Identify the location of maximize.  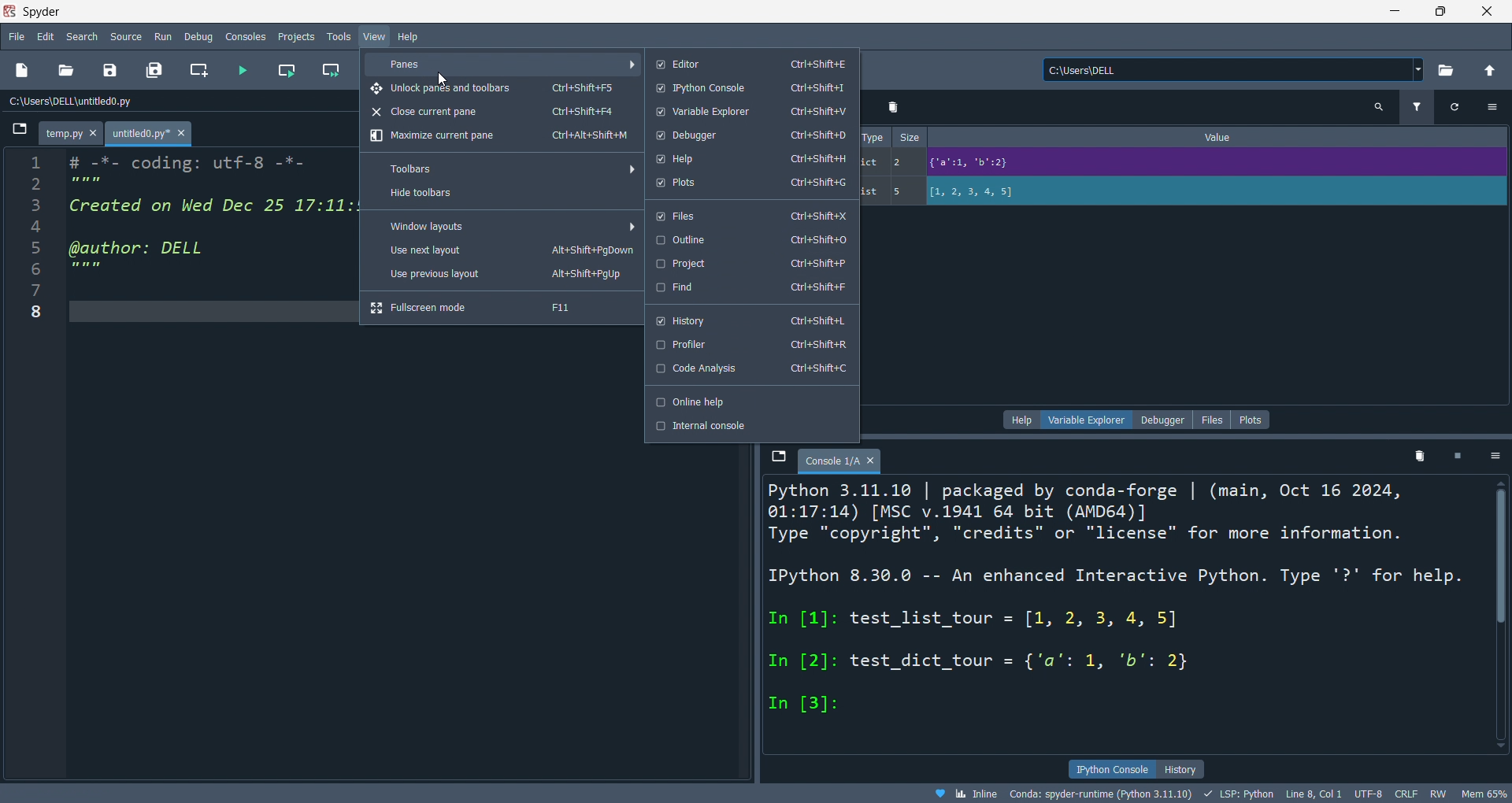
(1447, 12).